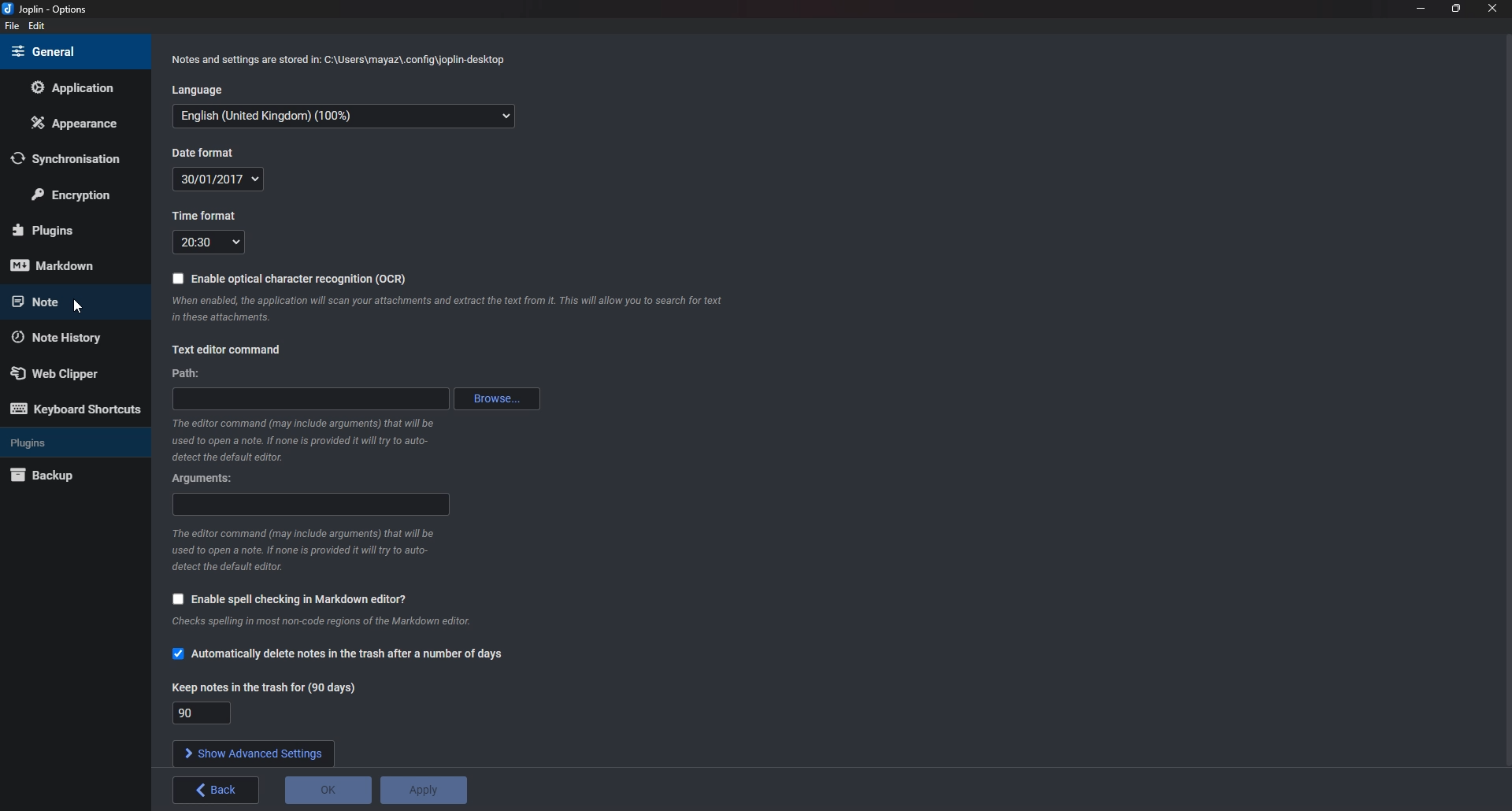 The width and height of the screenshot is (1512, 811). What do you see at coordinates (70, 372) in the screenshot?
I see `Web Clipper` at bounding box center [70, 372].